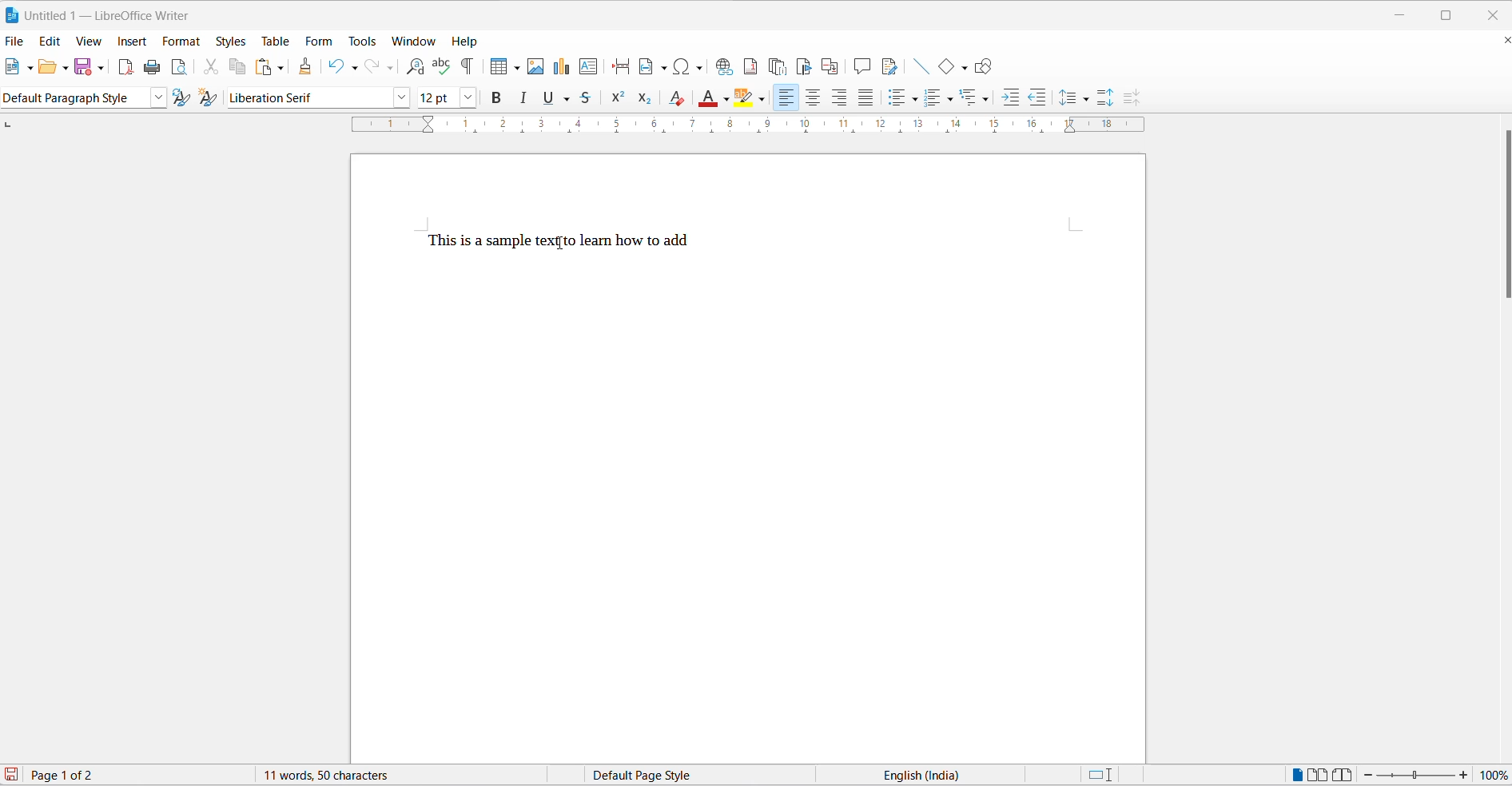 The height and width of the screenshot is (786, 1512). What do you see at coordinates (560, 241) in the screenshot?
I see `cursor` at bounding box center [560, 241].